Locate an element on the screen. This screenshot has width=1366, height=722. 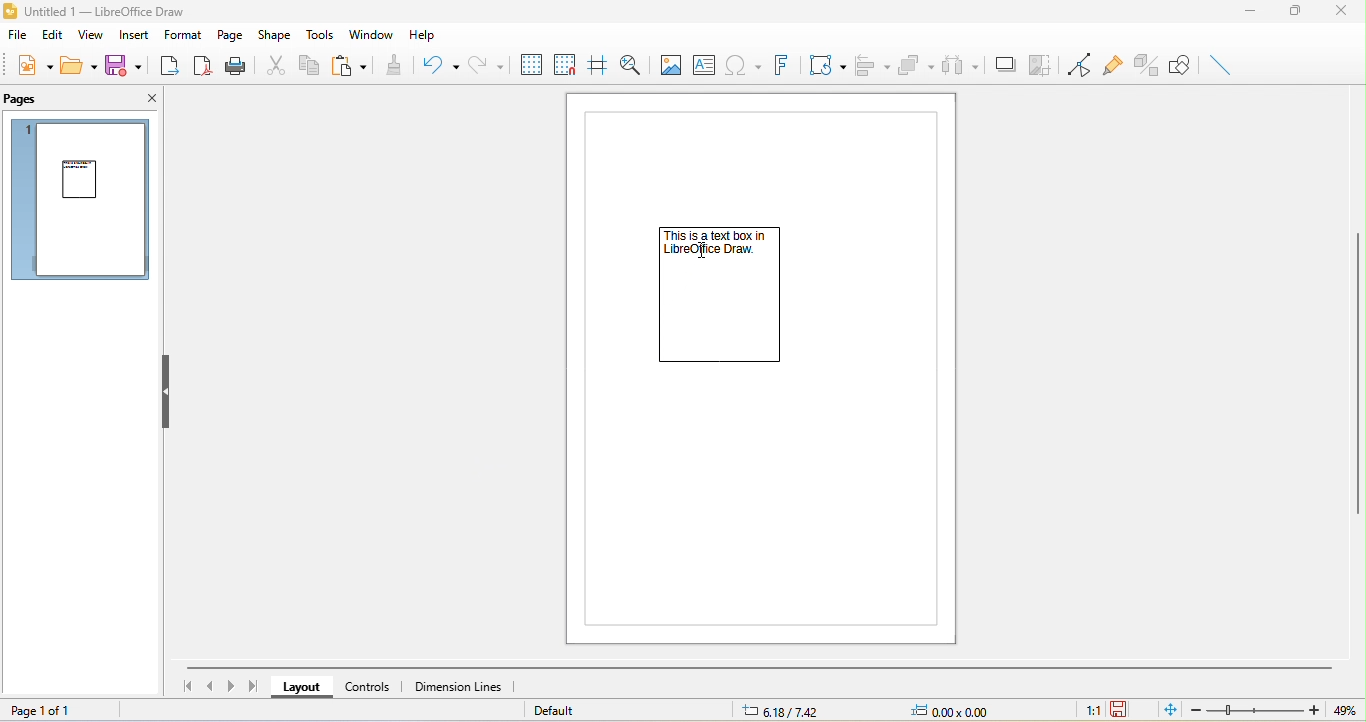
snap to grid is located at coordinates (563, 66).